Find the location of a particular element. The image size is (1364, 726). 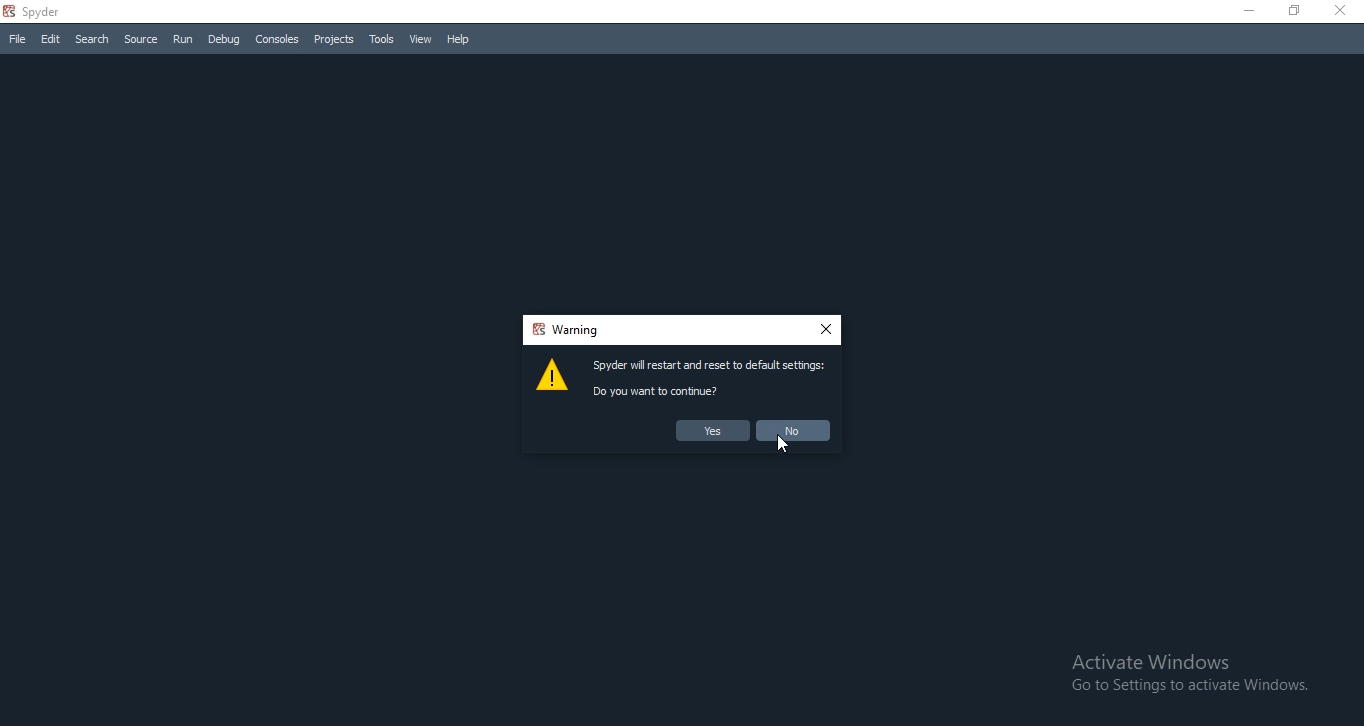

Search is located at coordinates (93, 37).